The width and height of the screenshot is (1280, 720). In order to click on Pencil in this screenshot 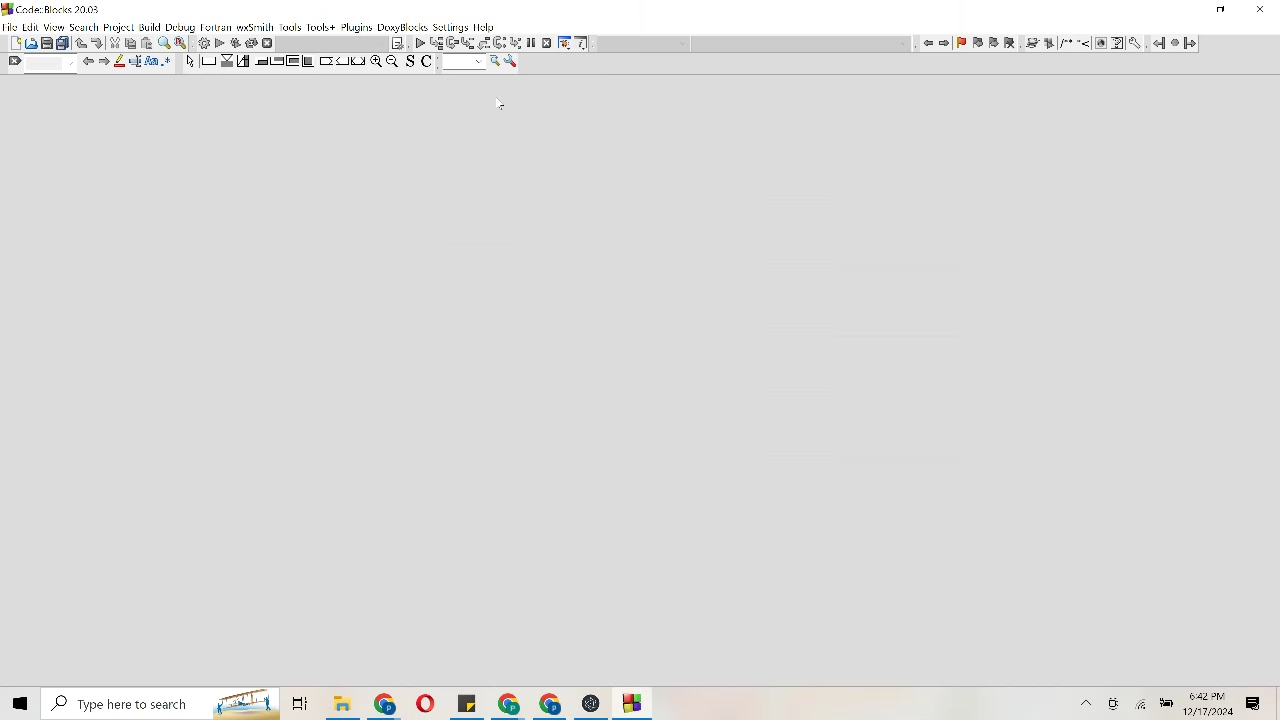, I will do `click(121, 61)`.